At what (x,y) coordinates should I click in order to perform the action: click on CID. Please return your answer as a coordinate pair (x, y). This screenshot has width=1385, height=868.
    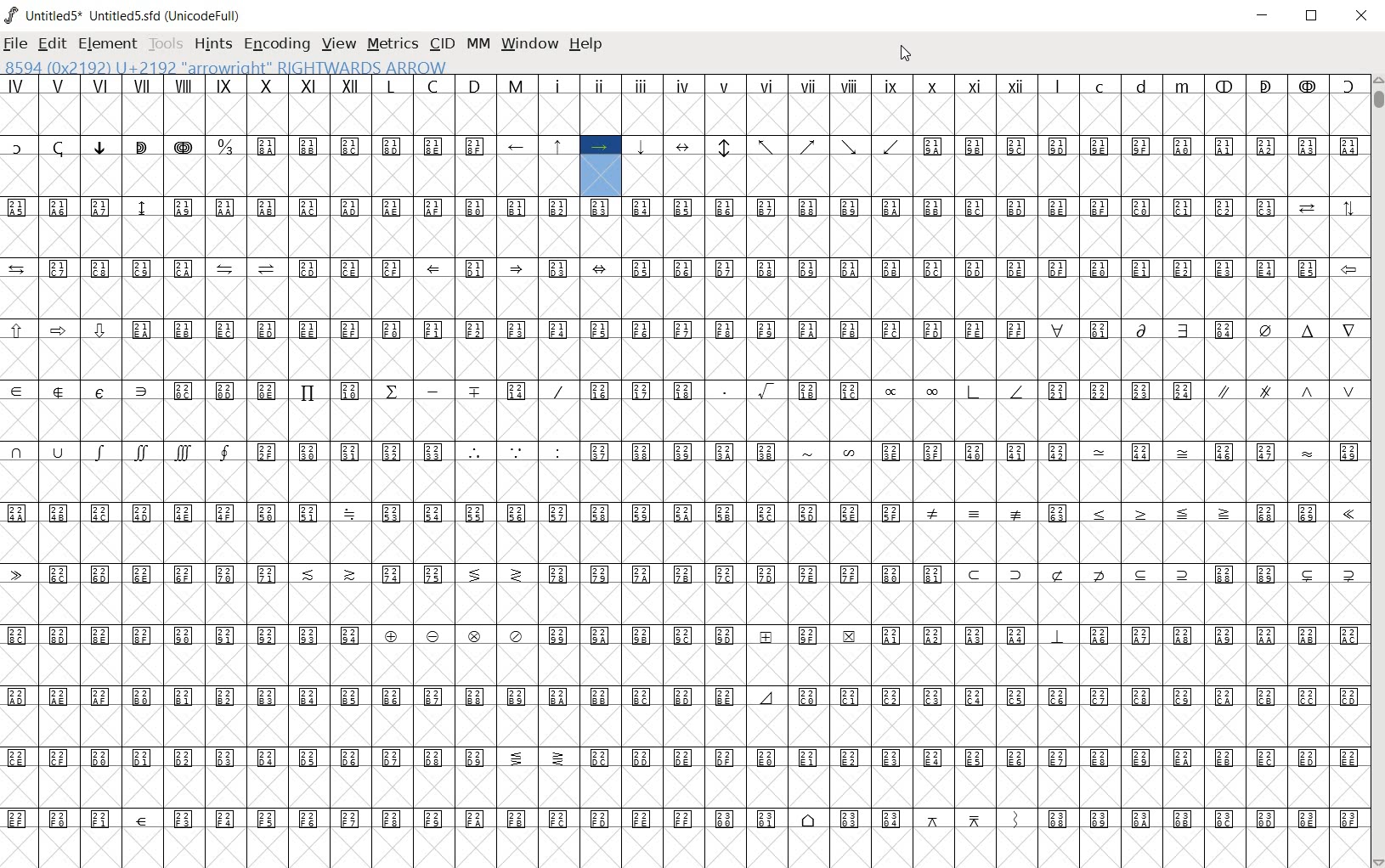
    Looking at the image, I should click on (441, 43).